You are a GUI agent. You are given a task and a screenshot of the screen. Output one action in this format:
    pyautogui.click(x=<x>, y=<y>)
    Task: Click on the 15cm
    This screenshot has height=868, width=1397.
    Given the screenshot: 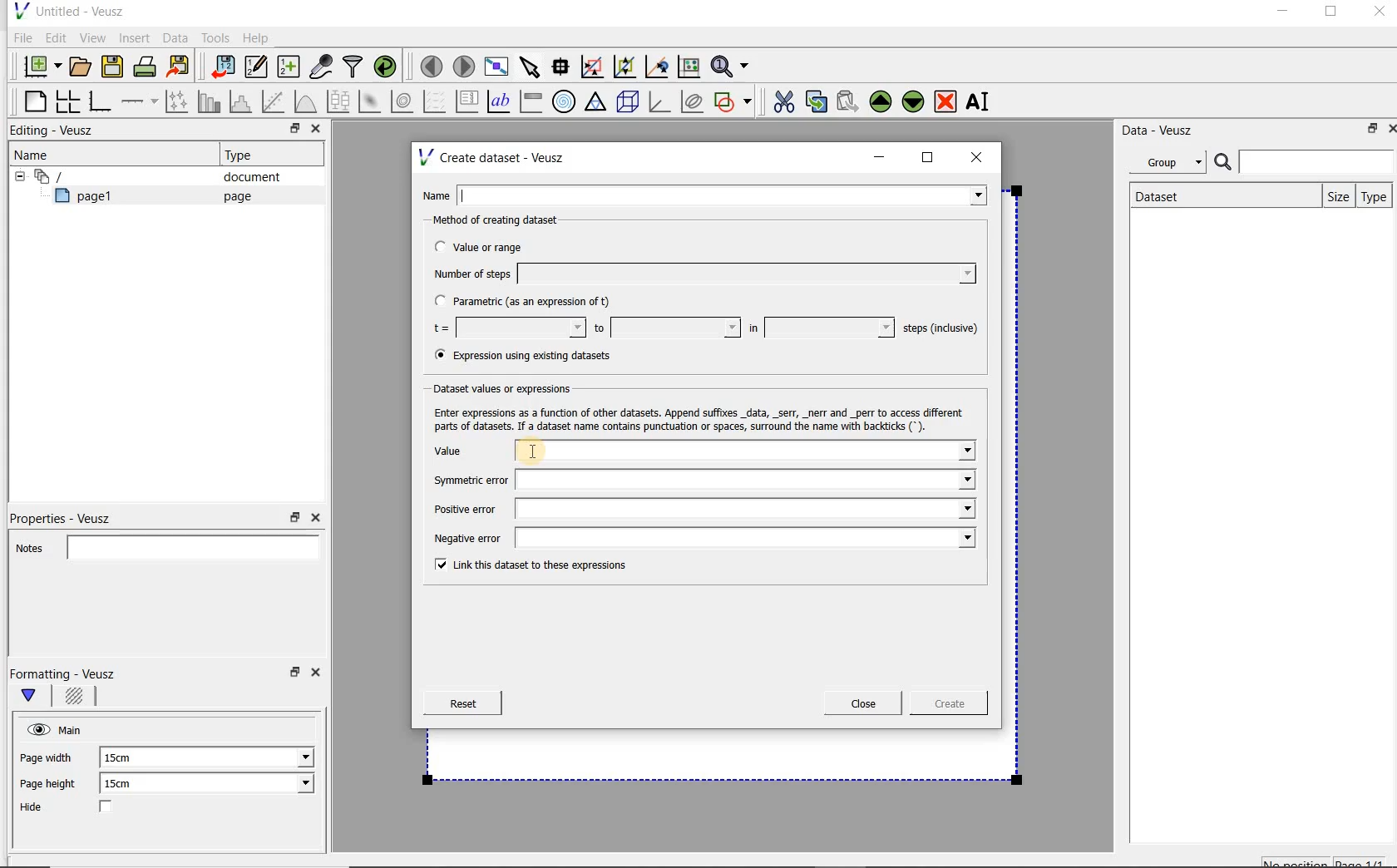 What is the action you would take?
    pyautogui.click(x=126, y=758)
    